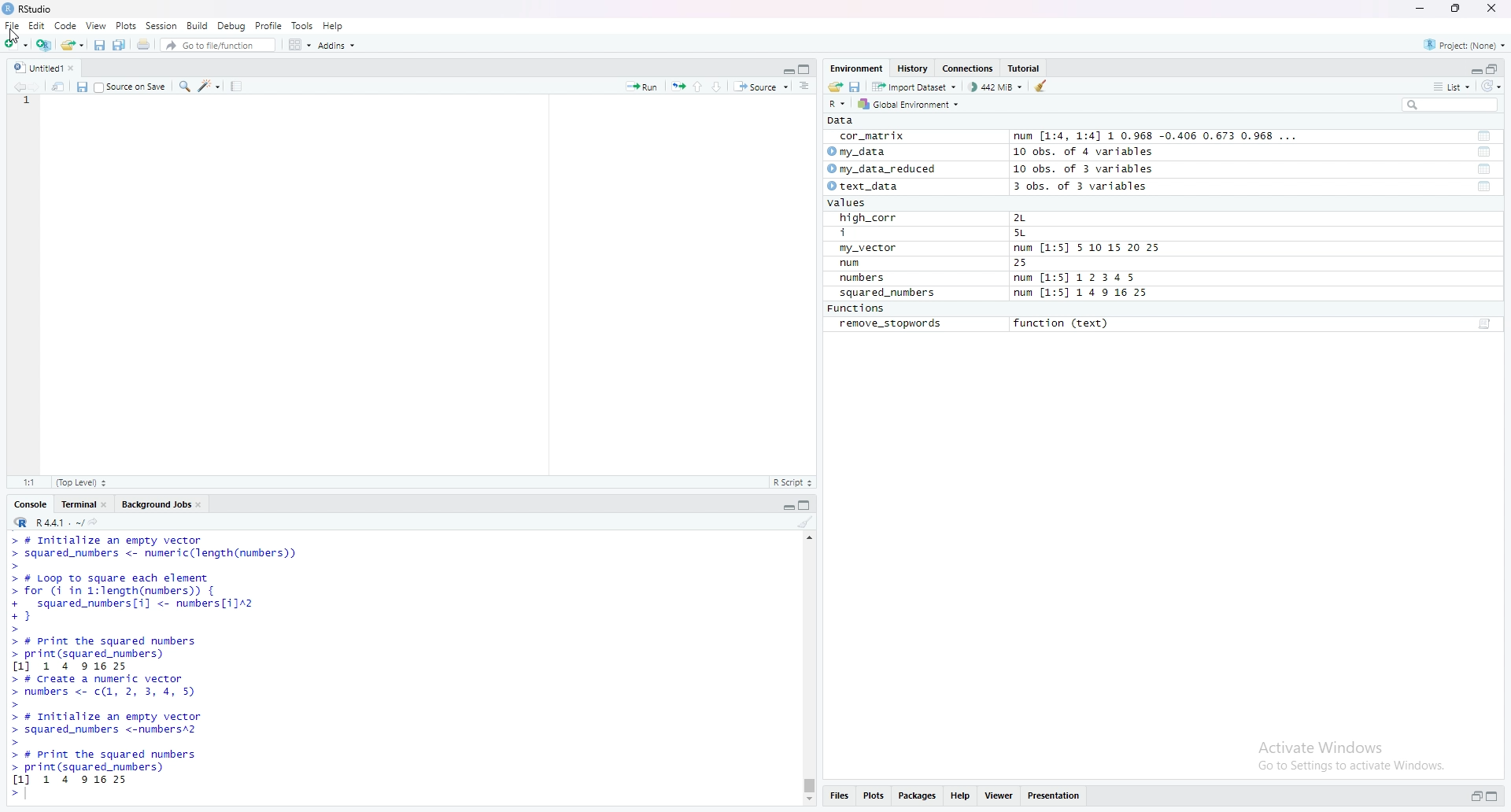 The image size is (1511, 812). Describe the element at coordinates (1098, 168) in the screenshot. I see `10 obs. of 3 variables` at that location.